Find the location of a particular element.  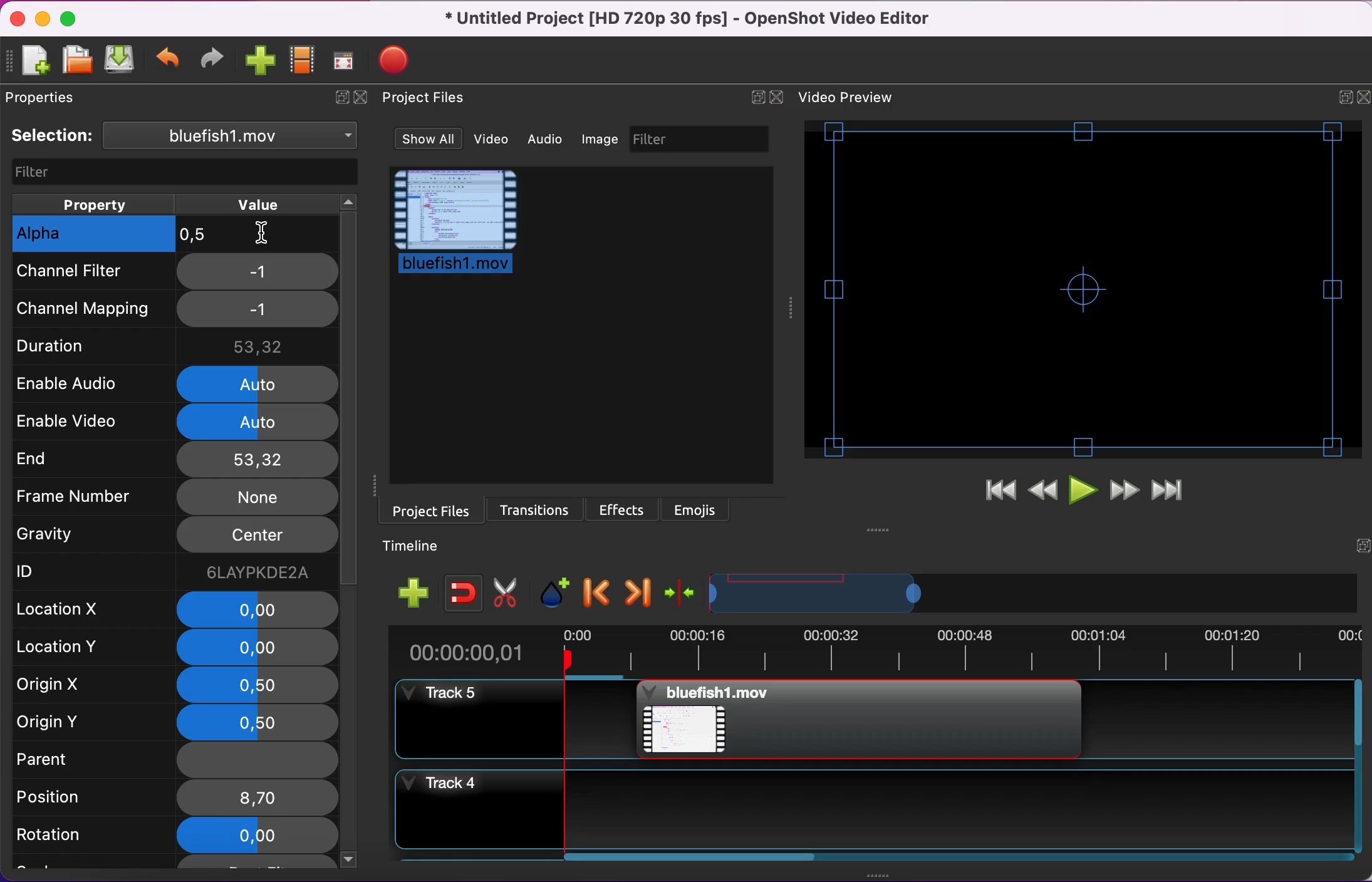

rigin x is located at coordinates (70, 688).